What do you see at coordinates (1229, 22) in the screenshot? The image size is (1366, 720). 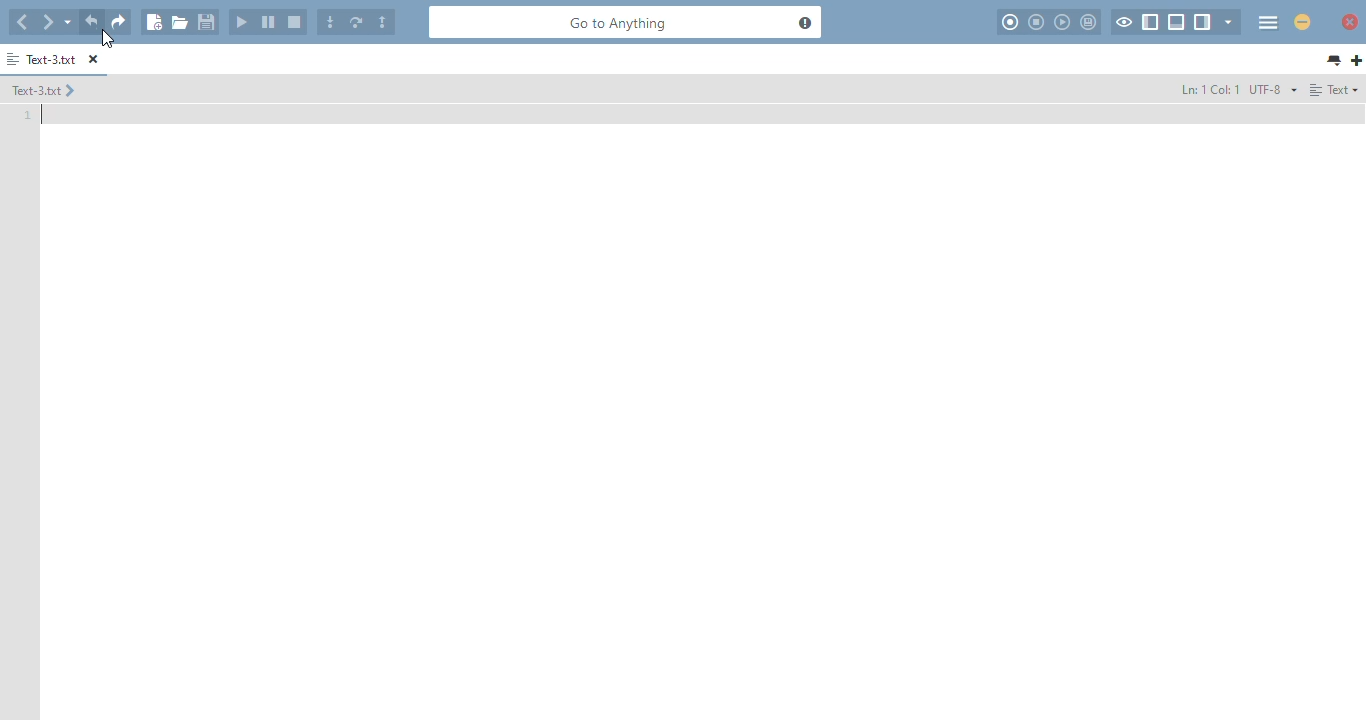 I see `show specific sidebar/tab` at bounding box center [1229, 22].